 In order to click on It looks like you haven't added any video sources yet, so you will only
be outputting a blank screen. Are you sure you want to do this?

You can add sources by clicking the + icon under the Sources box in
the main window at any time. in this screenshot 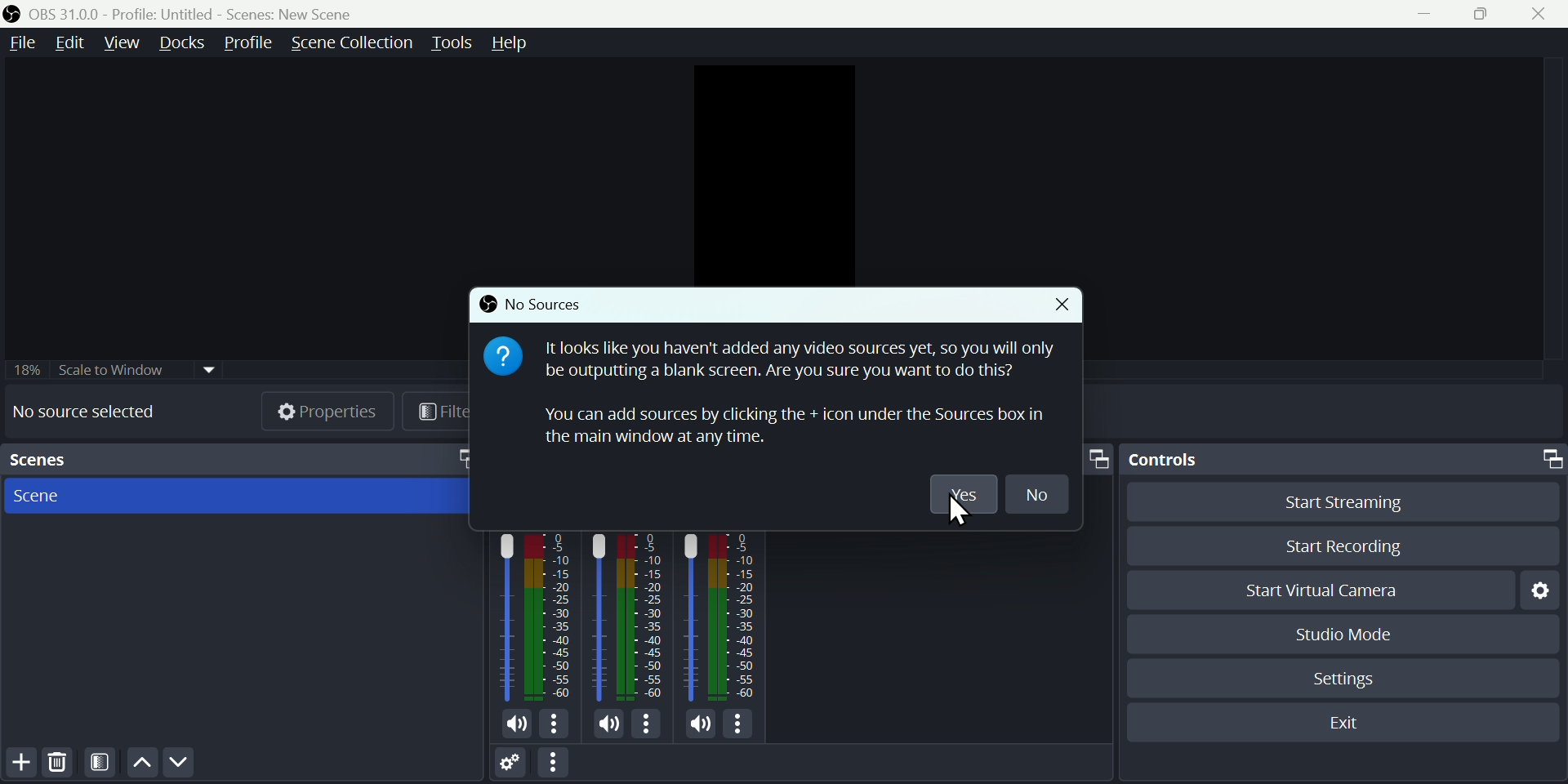, I will do `click(773, 396)`.